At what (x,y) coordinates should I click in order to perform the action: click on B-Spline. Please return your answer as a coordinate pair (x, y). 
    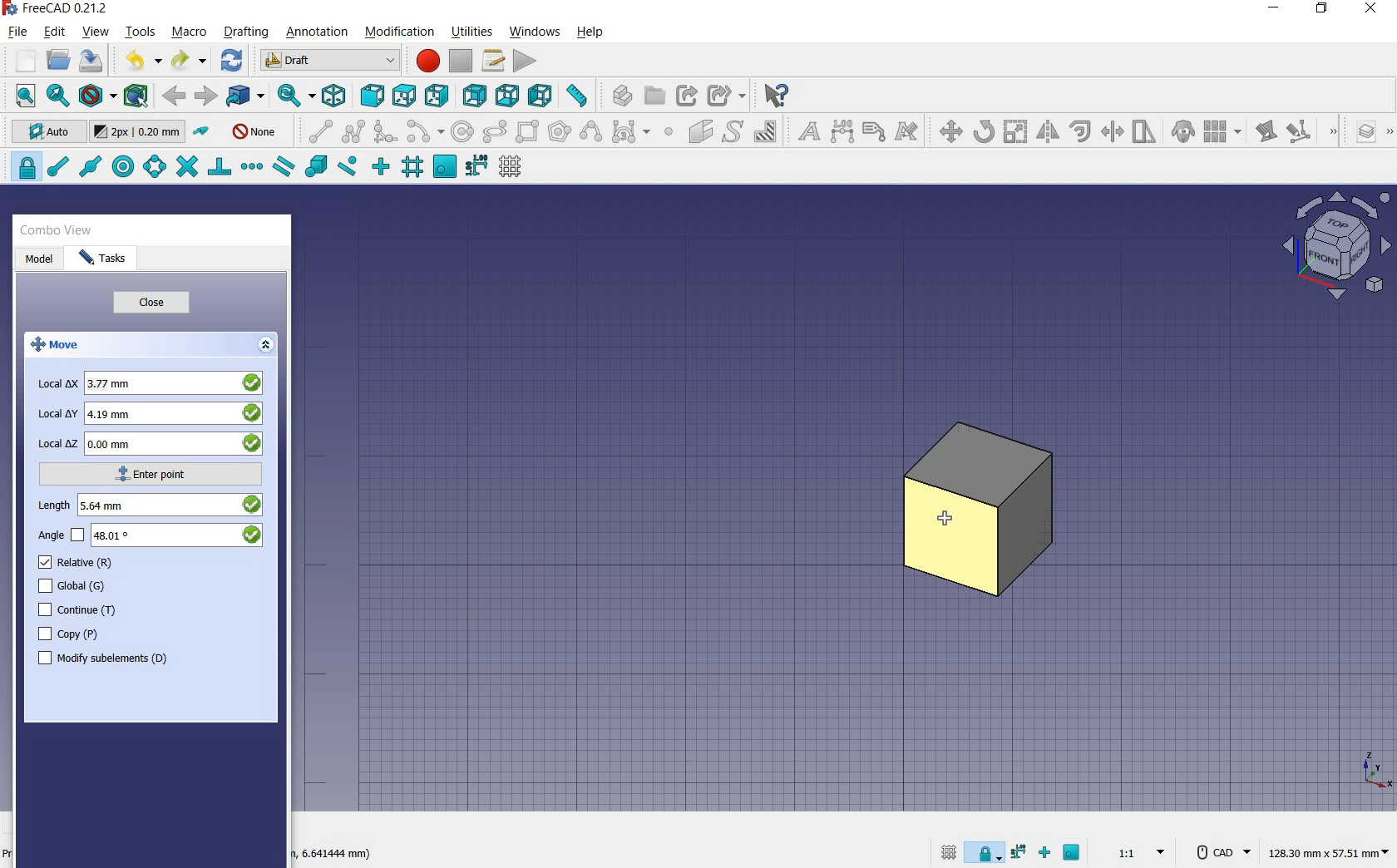
    Looking at the image, I should click on (590, 133).